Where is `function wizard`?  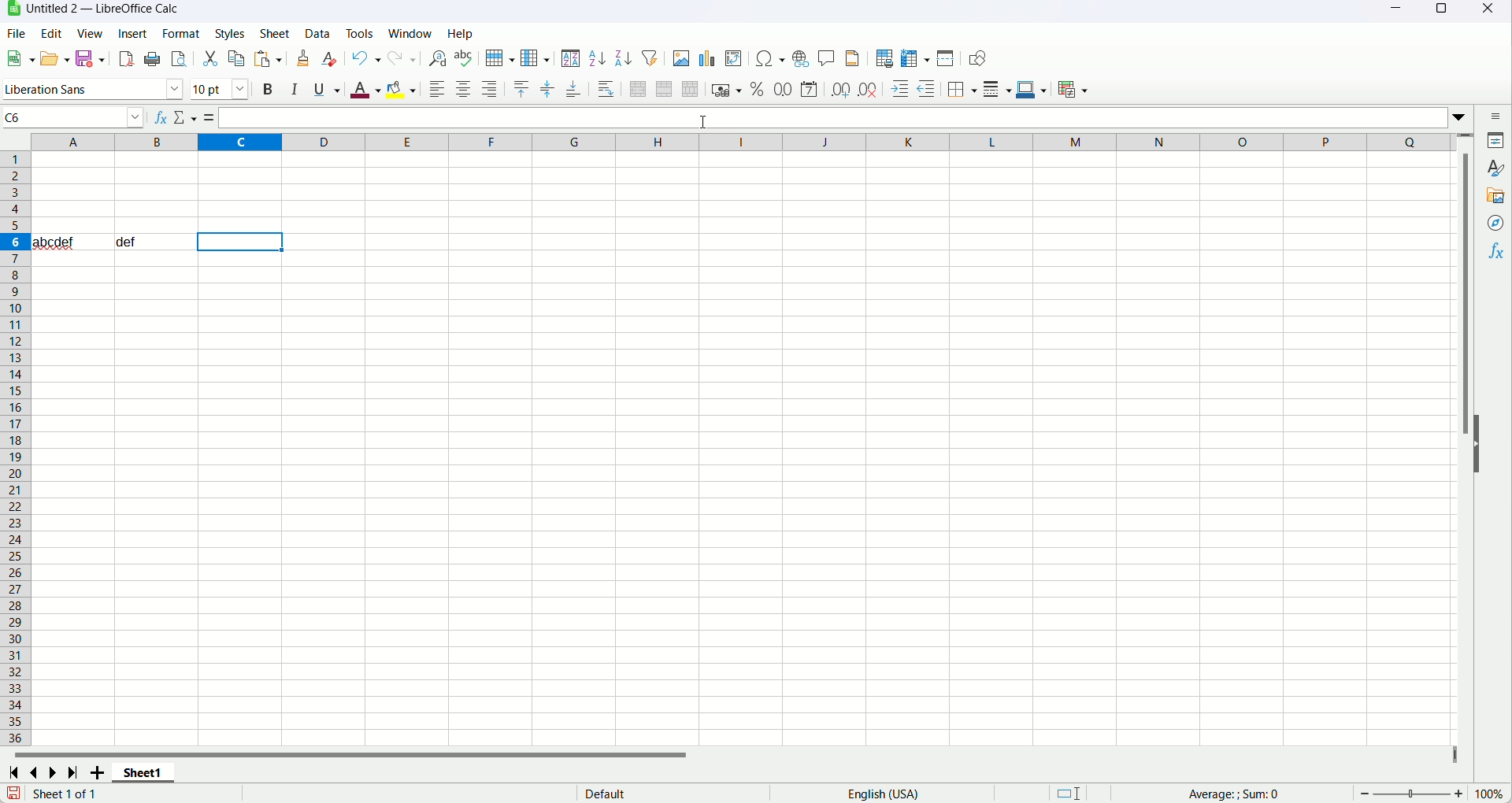
function wizard is located at coordinates (157, 117).